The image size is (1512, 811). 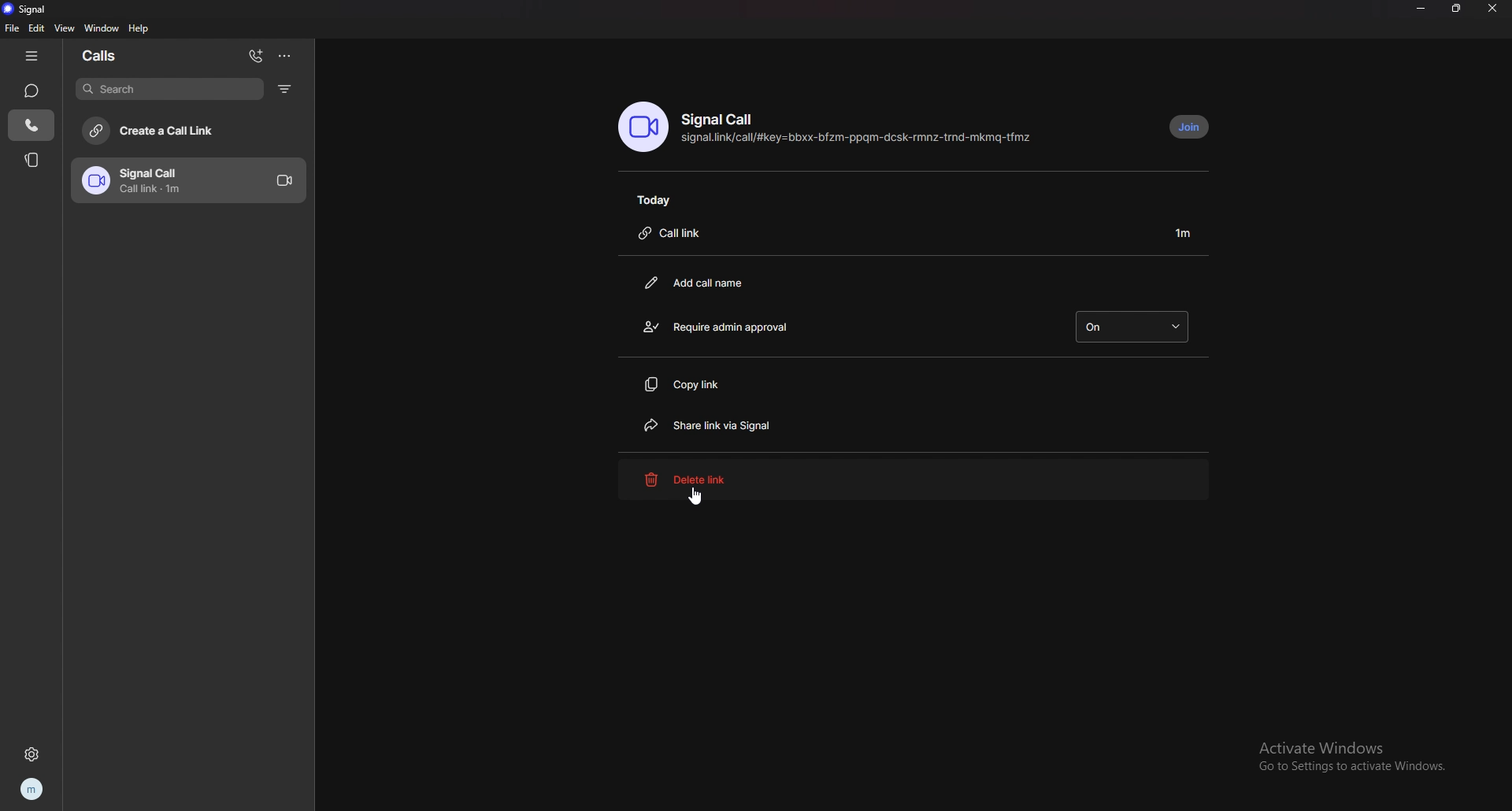 I want to click on call, so click(x=31, y=127).